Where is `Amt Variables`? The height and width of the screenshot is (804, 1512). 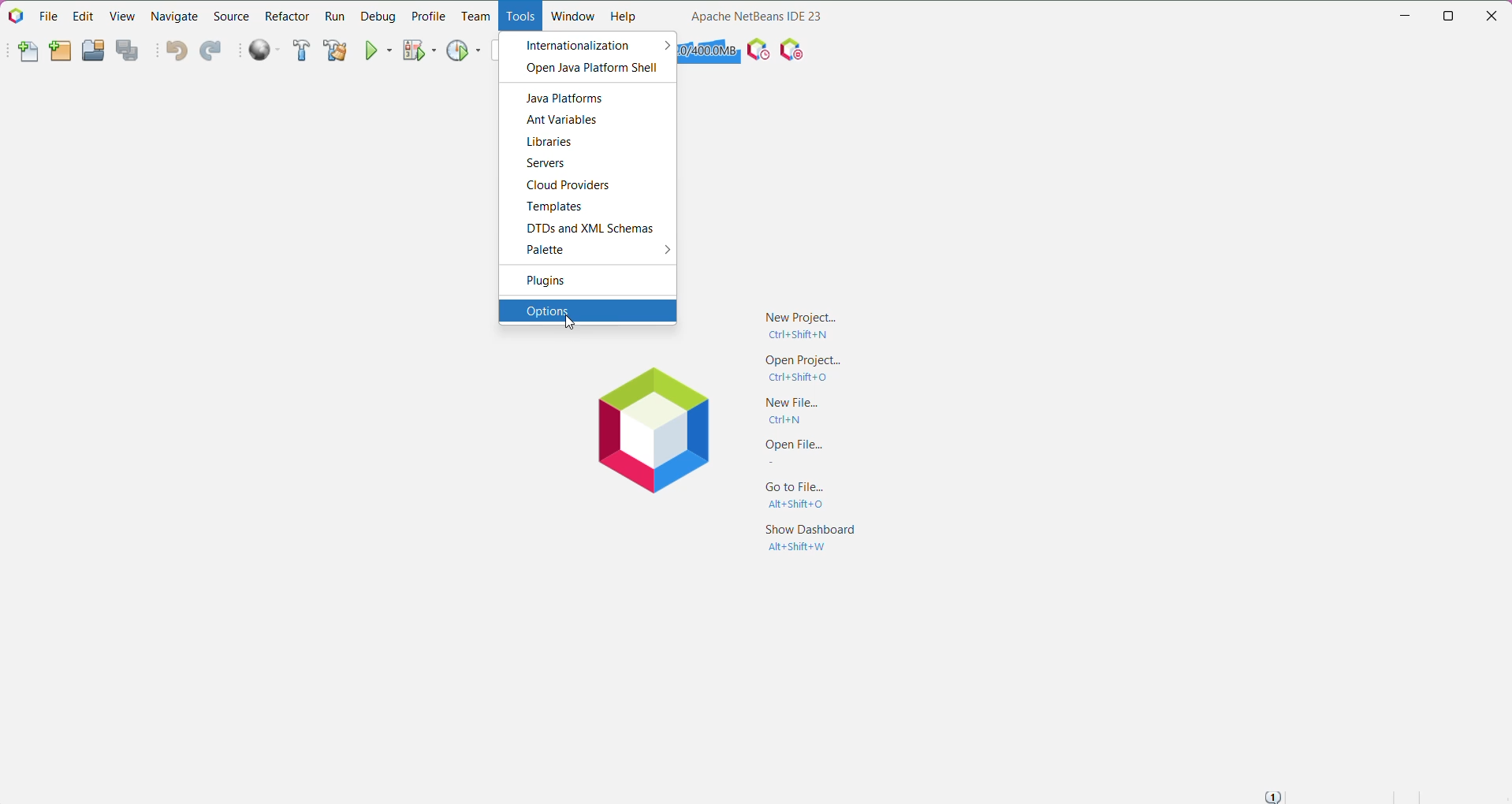 Amt Variables is located at coordinates (564, 120).